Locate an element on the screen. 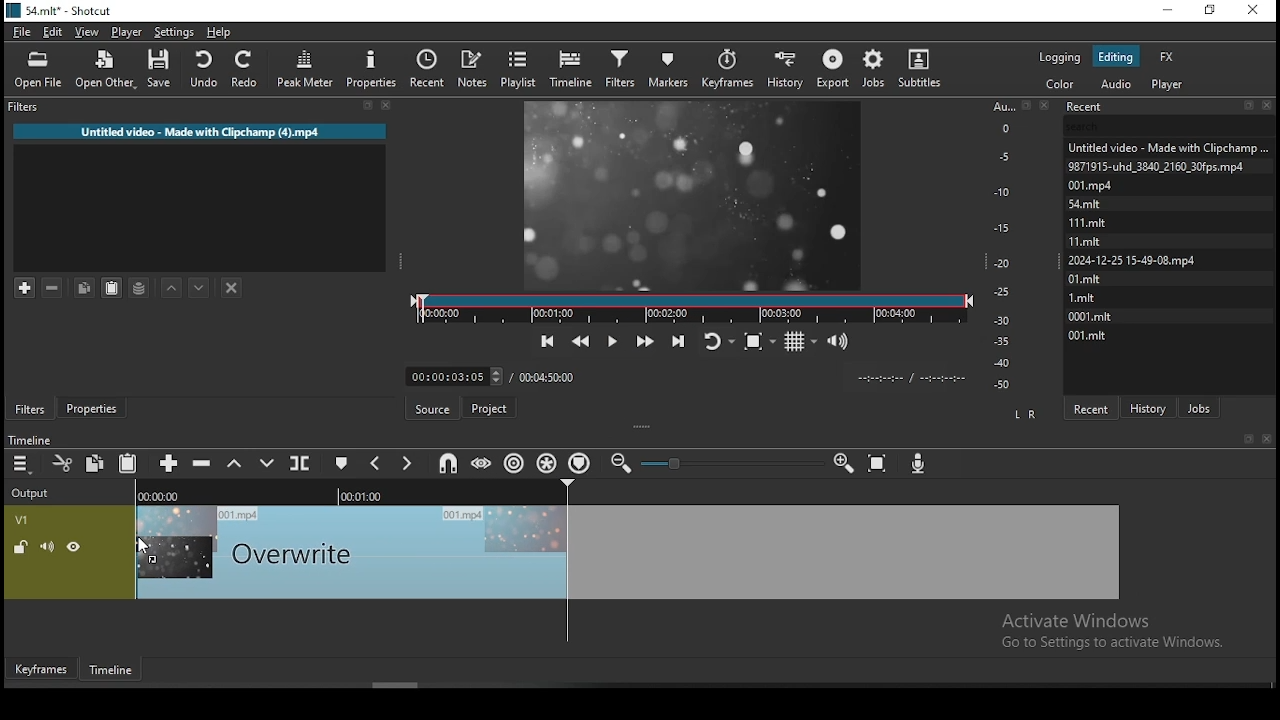 Image resolution: width=1280 pixels, height=720 pixels. play/pause is located at coordinates (613, 339).